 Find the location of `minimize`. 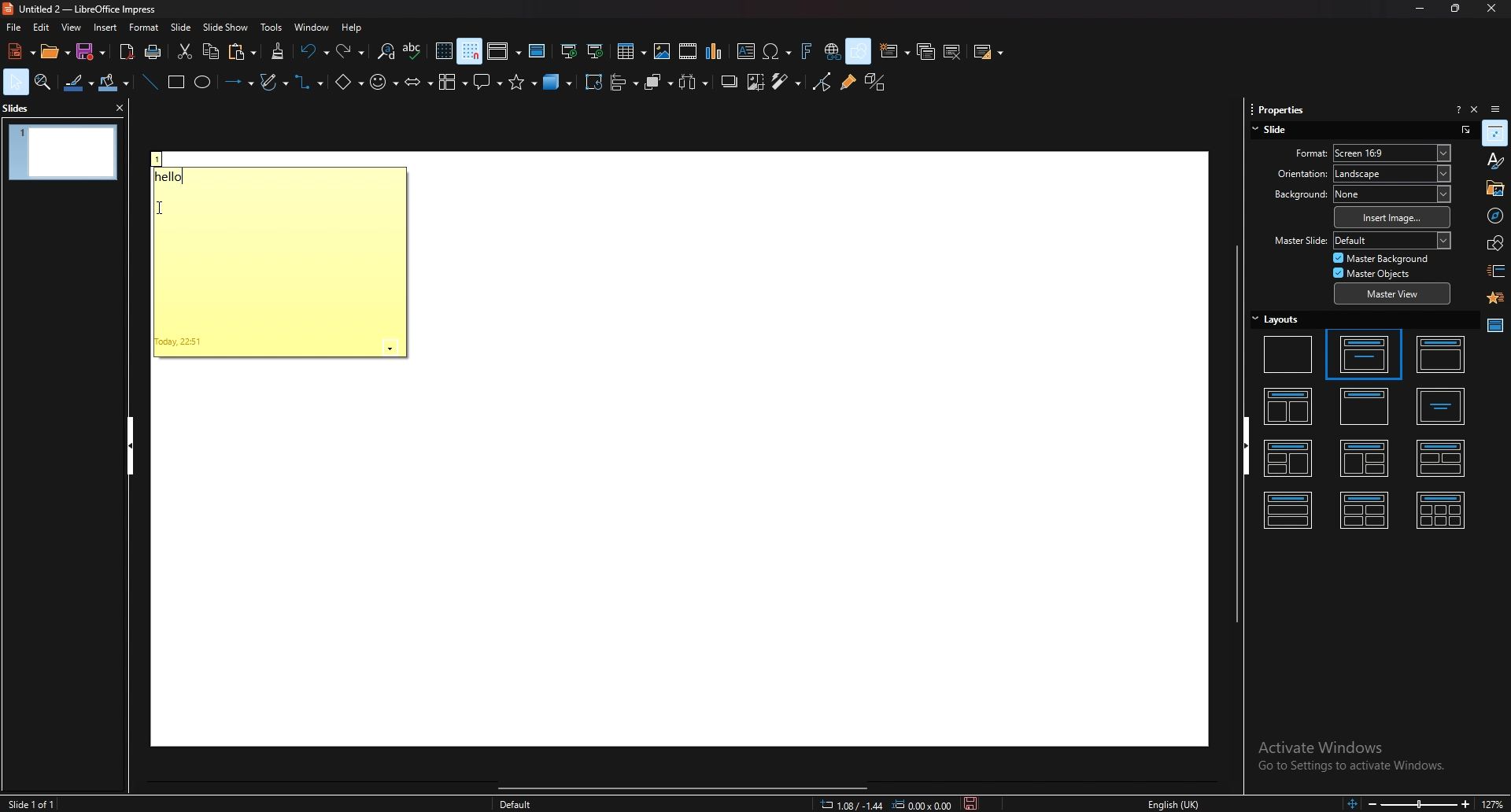

minimize is located at coordinates (1420, 9).